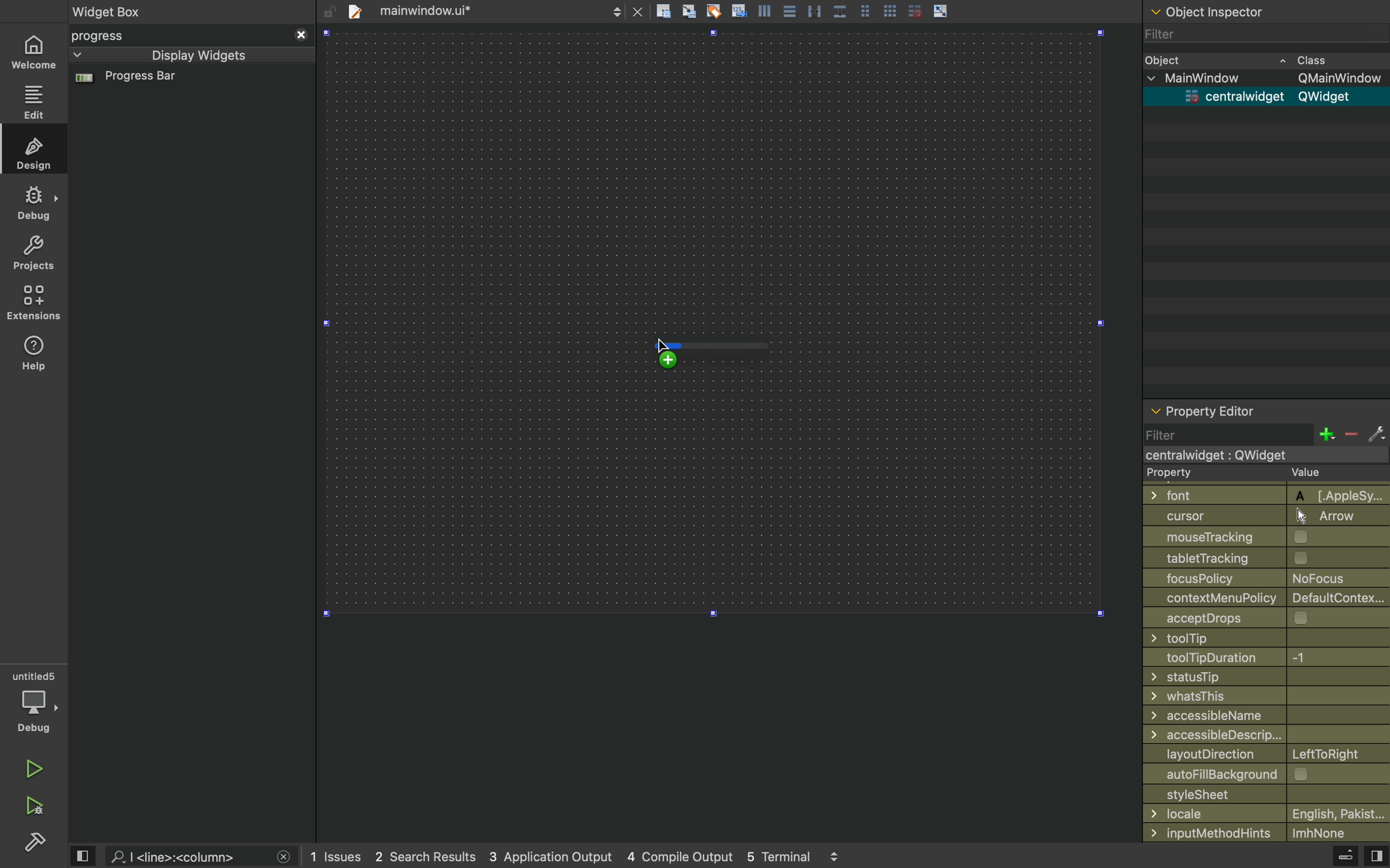  I want to click on mainwindow, so click(1269, 77).